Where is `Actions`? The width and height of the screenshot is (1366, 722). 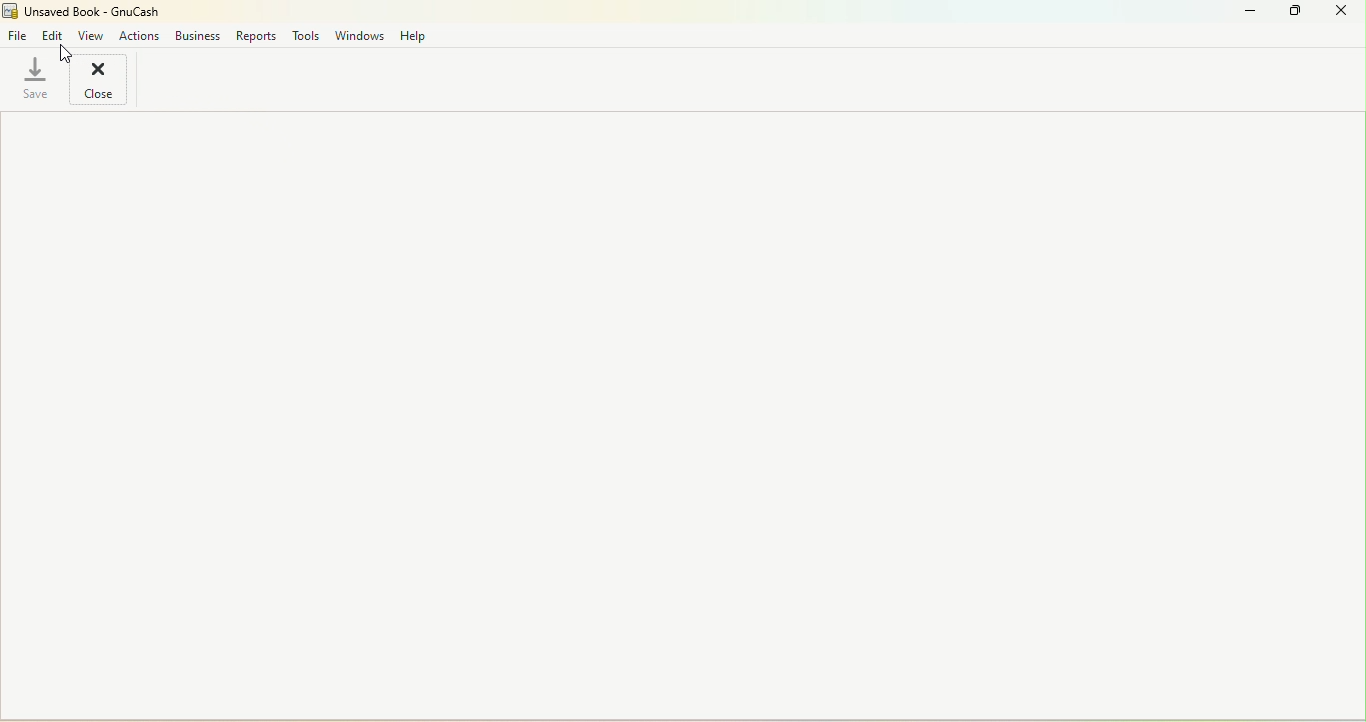 Actions is located at coordinates (140, 34).